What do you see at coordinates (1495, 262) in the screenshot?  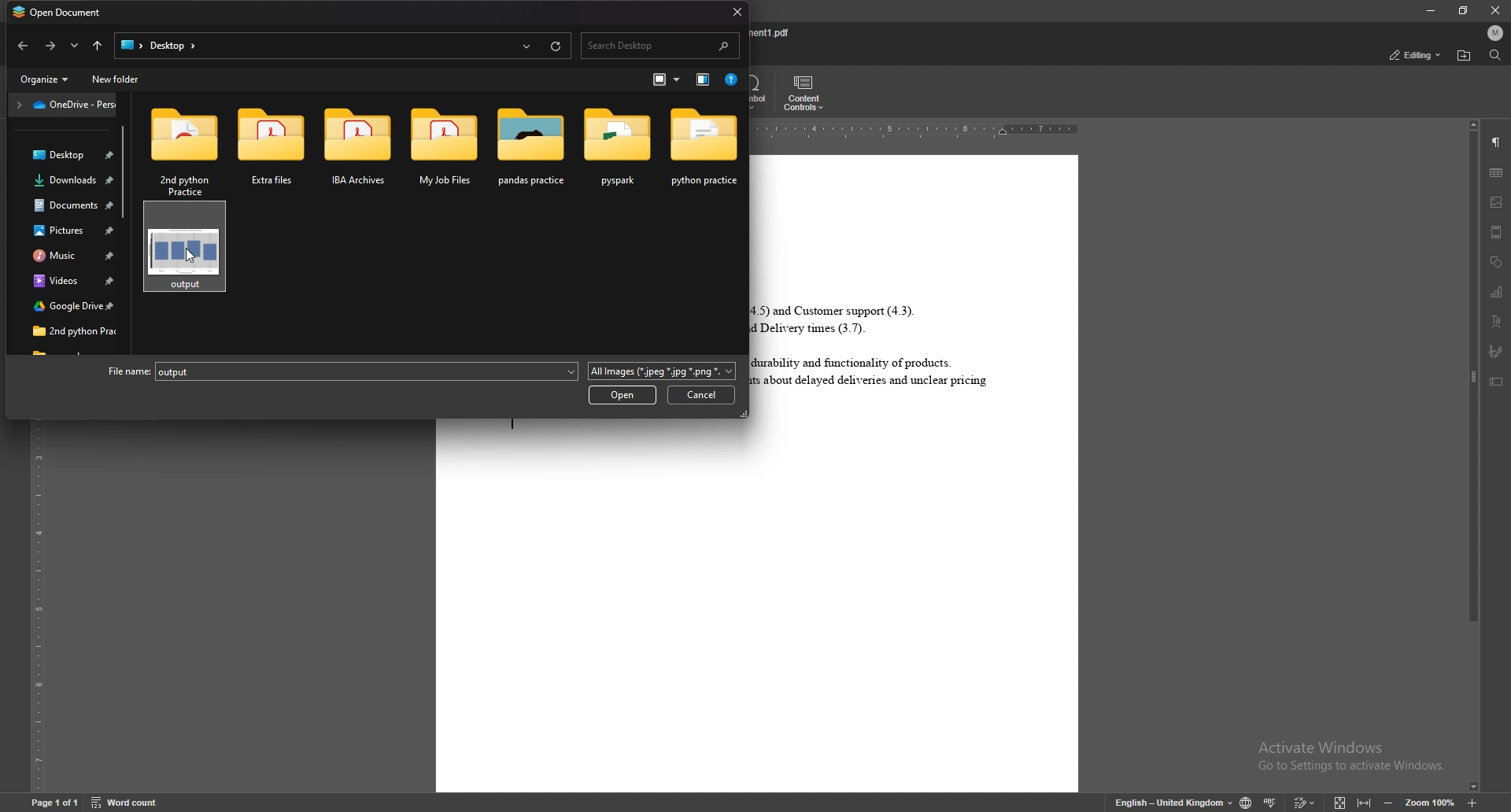 I see `shapes` at bounding box center [1495, 262].